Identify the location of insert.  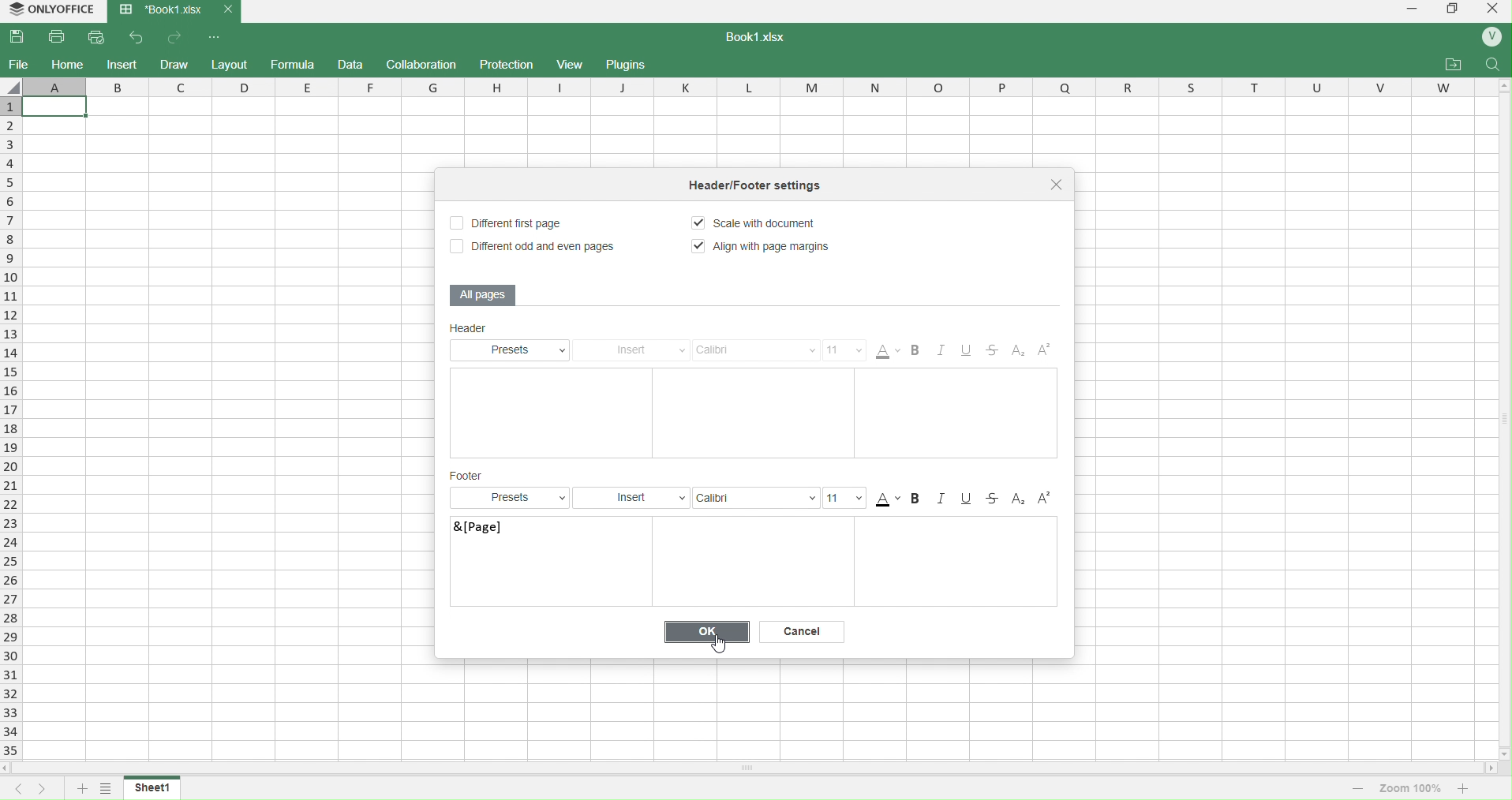
(122, 64).